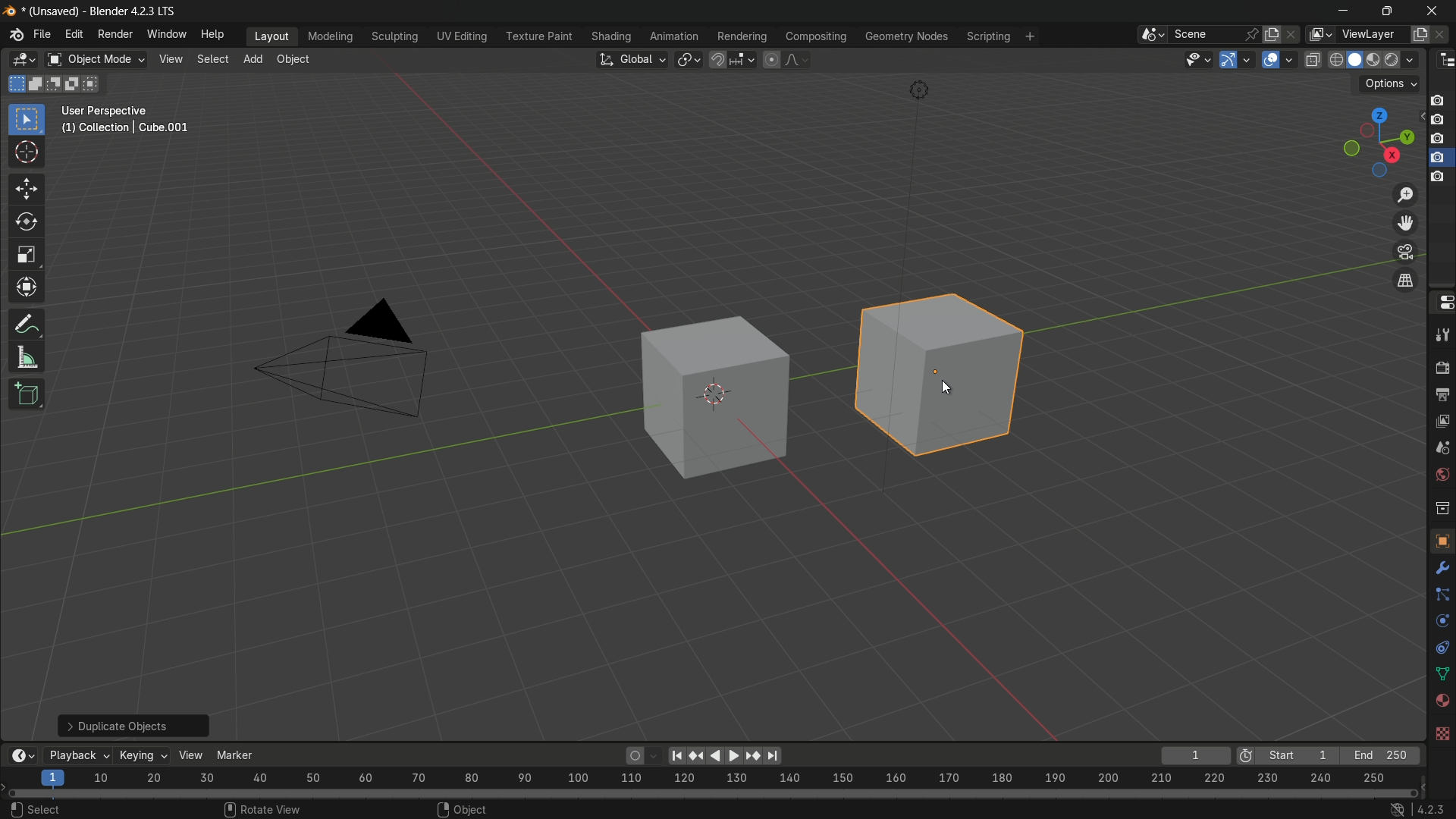  Describe the element at coordinates (1444, 61) in the screenshot. I see `editor type` at that location.